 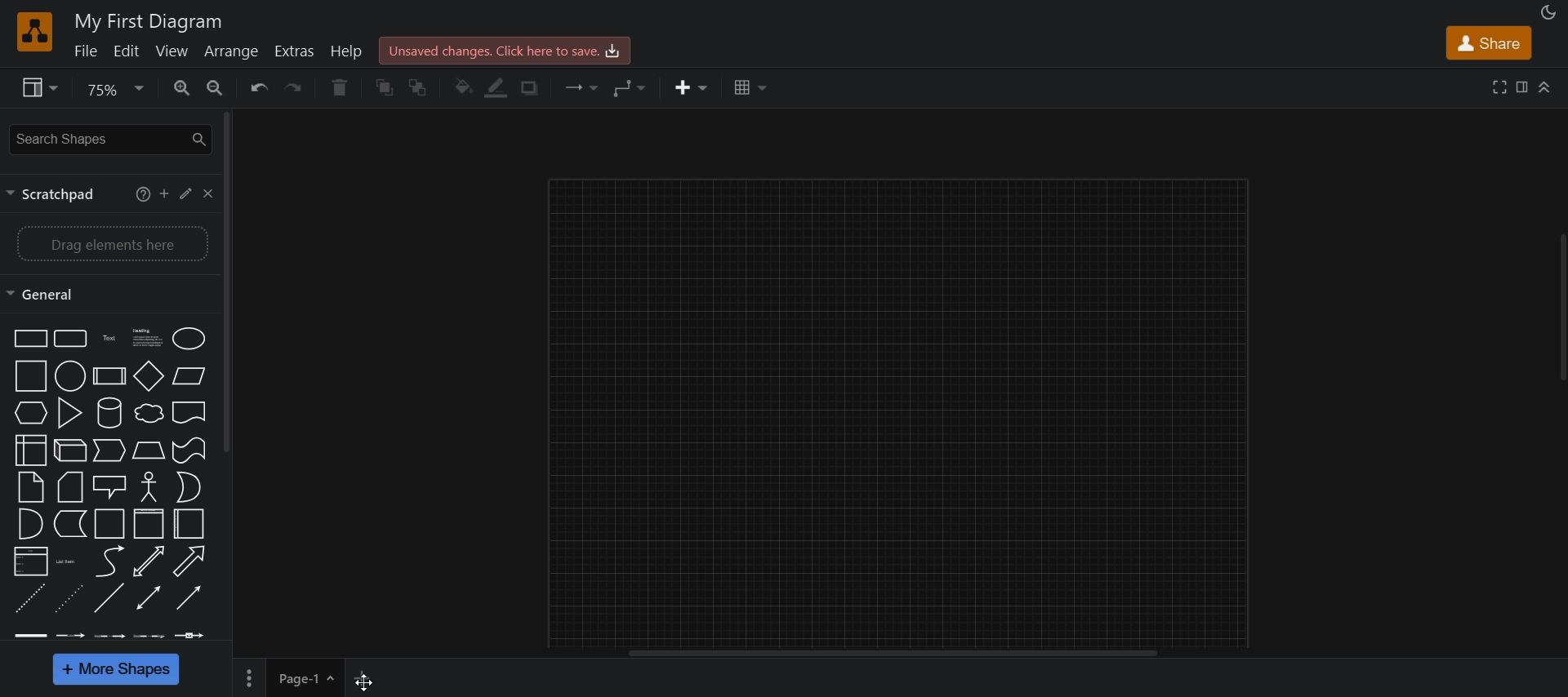 I want to click on close, so click(x=214, y=193).